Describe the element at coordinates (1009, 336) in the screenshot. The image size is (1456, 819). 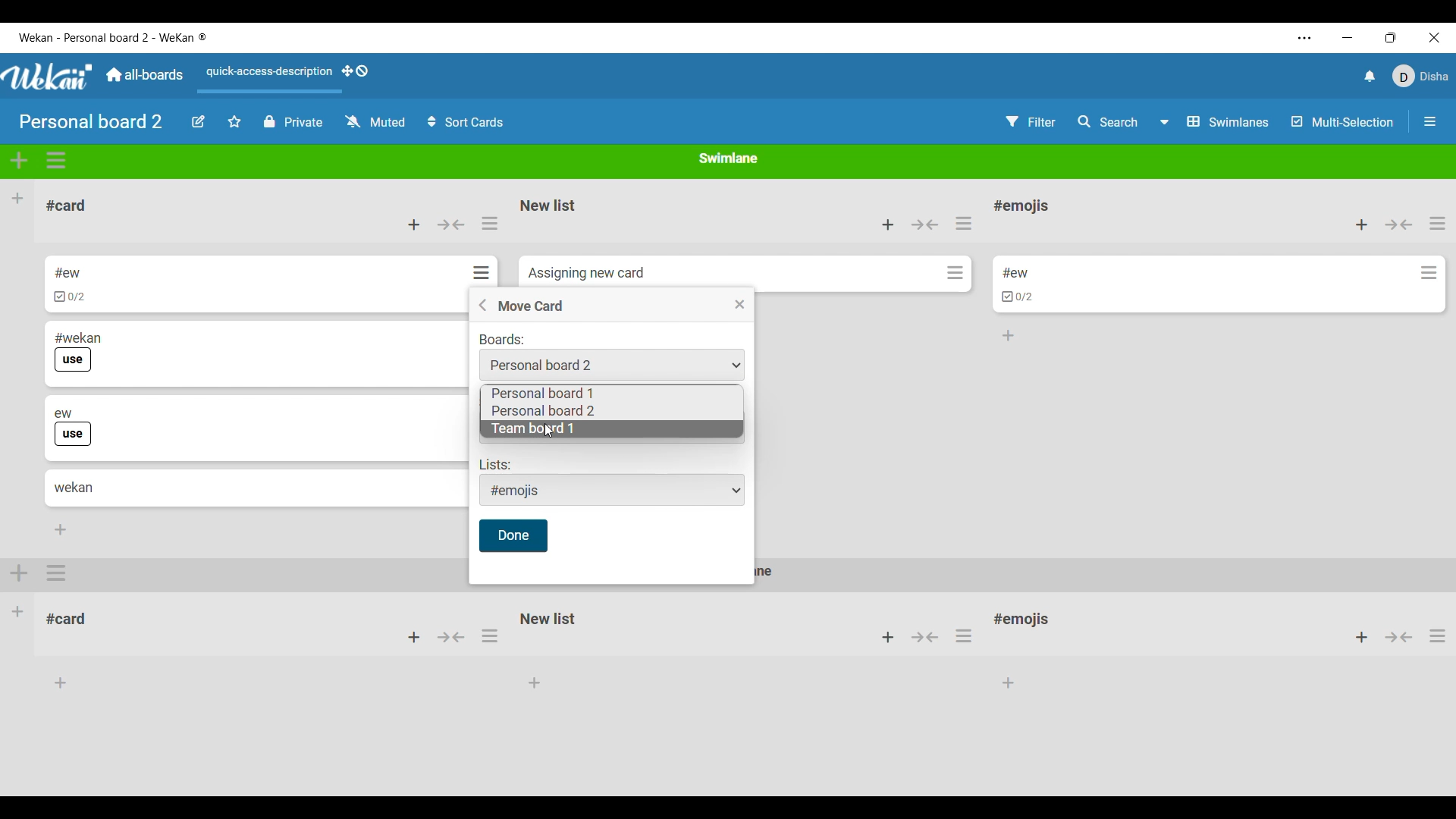
I see `Add card to bottom of list` at that location.